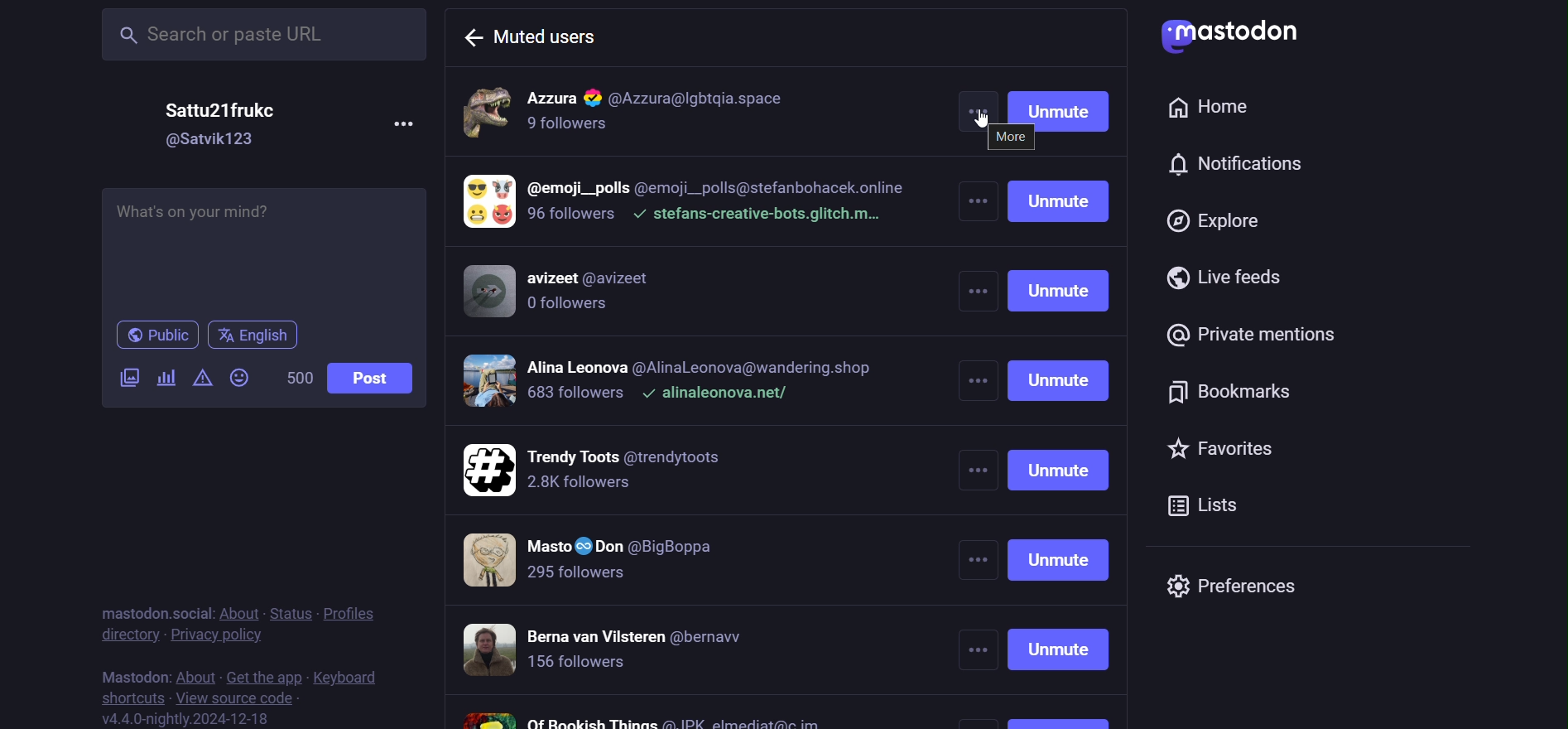 This screenshot has height=729, width=1568. What do you see at coordinates (374, 380) in the screenshot?
I see `post` at bounding box center [374, 380].